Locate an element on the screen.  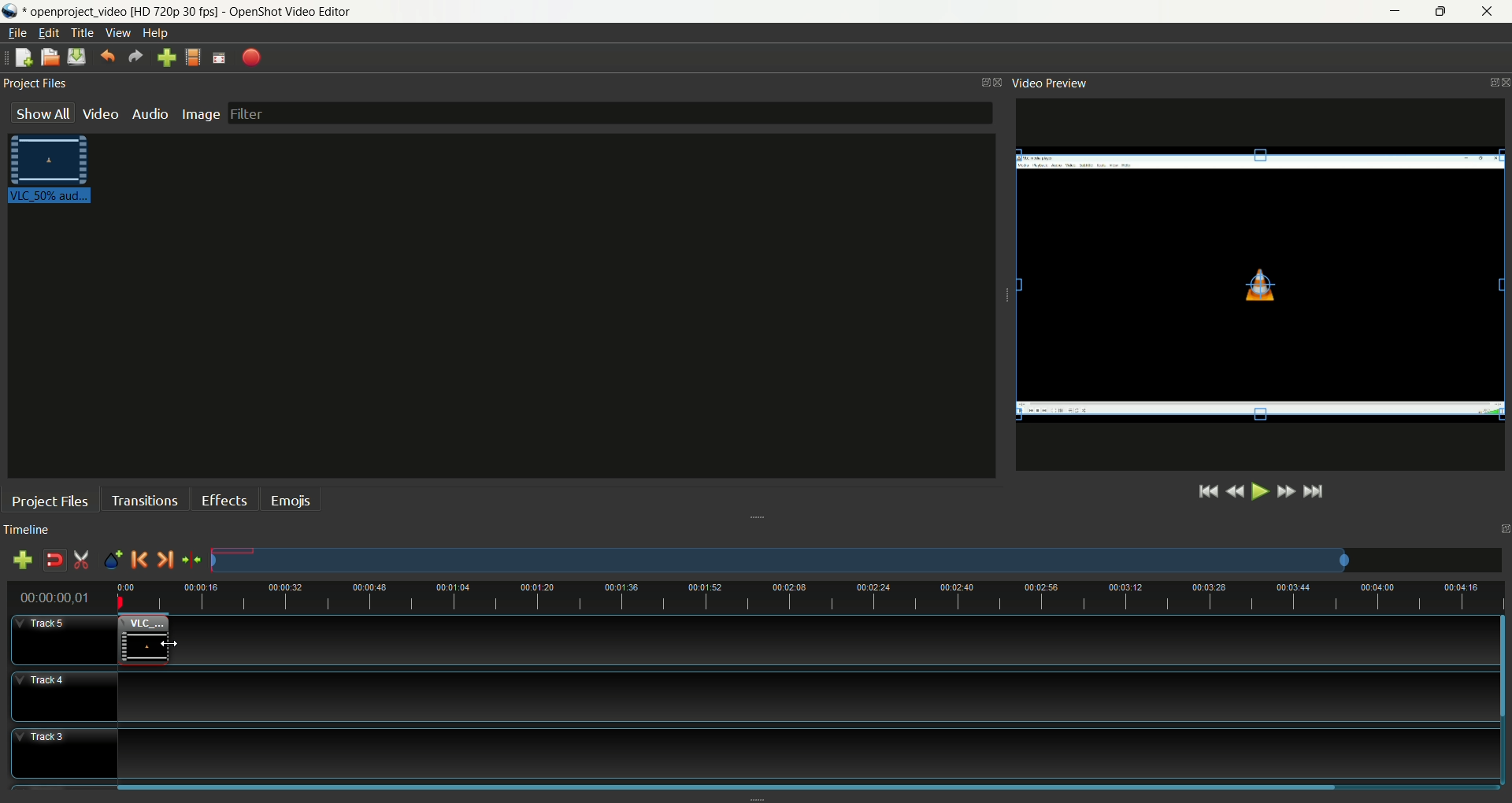
filter is located at coordinates (611, 113).